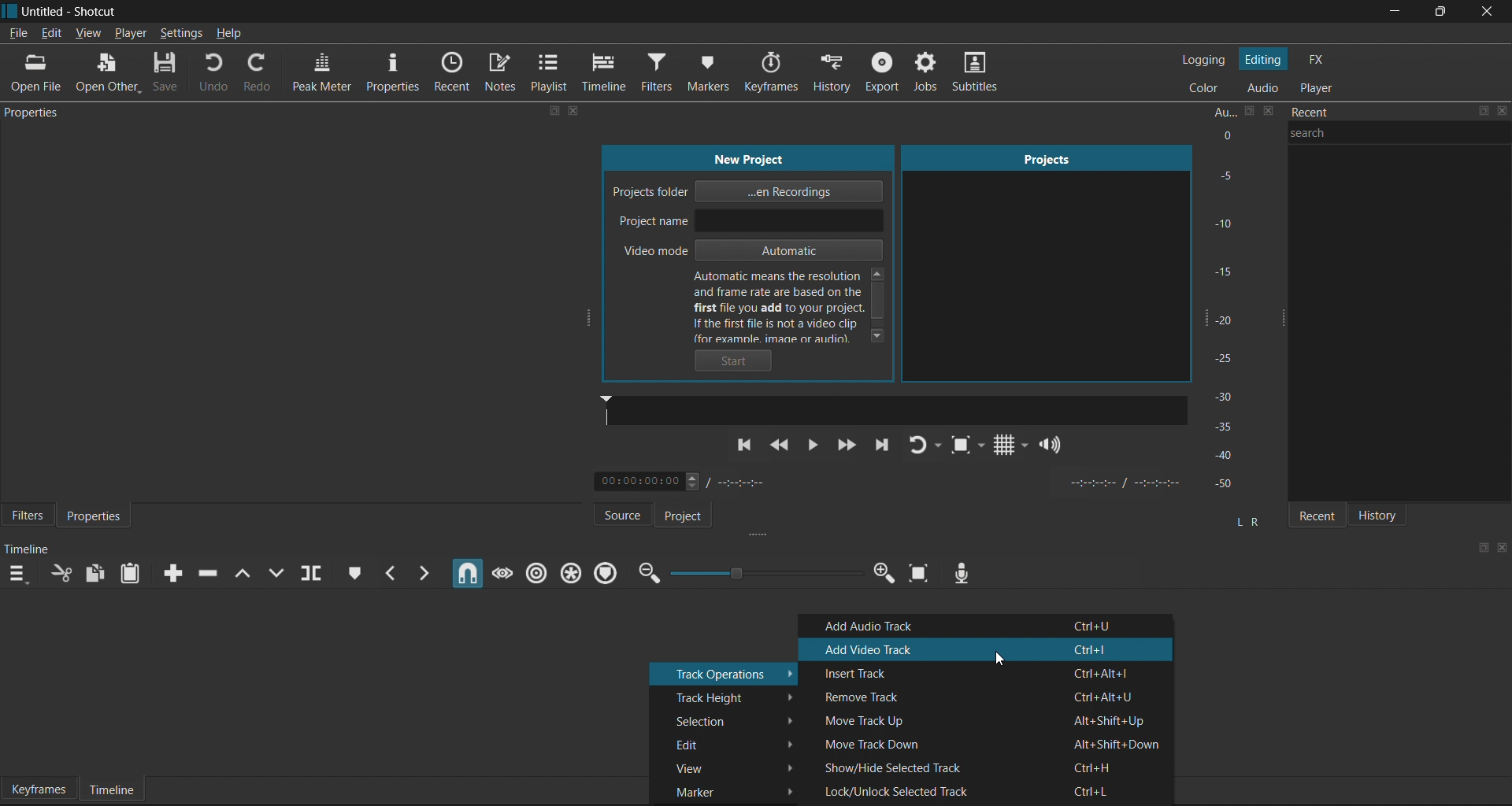 This screenshot has width=1512, height=806. I want to click on pause, so click(813, 445).